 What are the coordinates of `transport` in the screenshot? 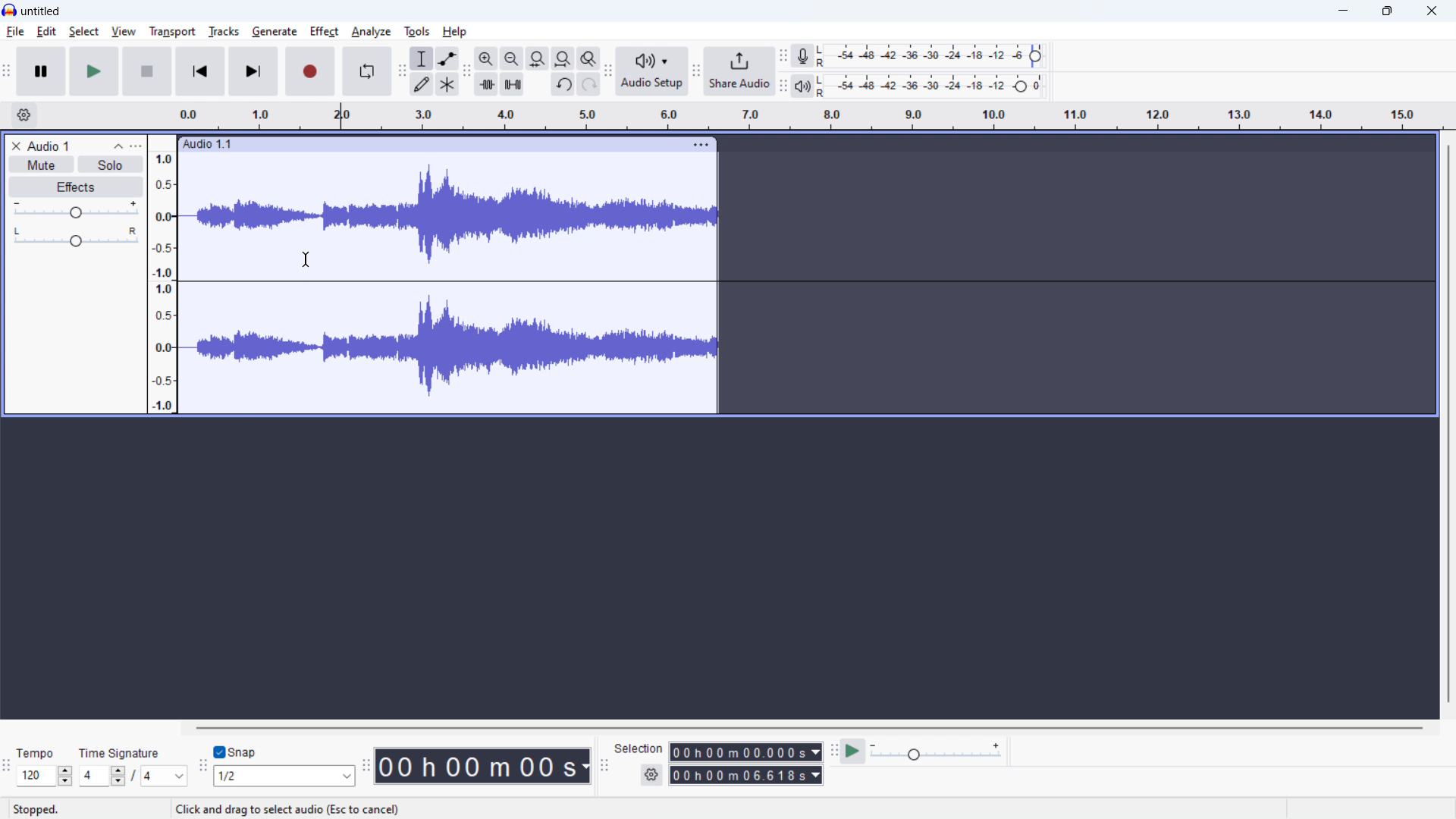 It's located at (171, 31).